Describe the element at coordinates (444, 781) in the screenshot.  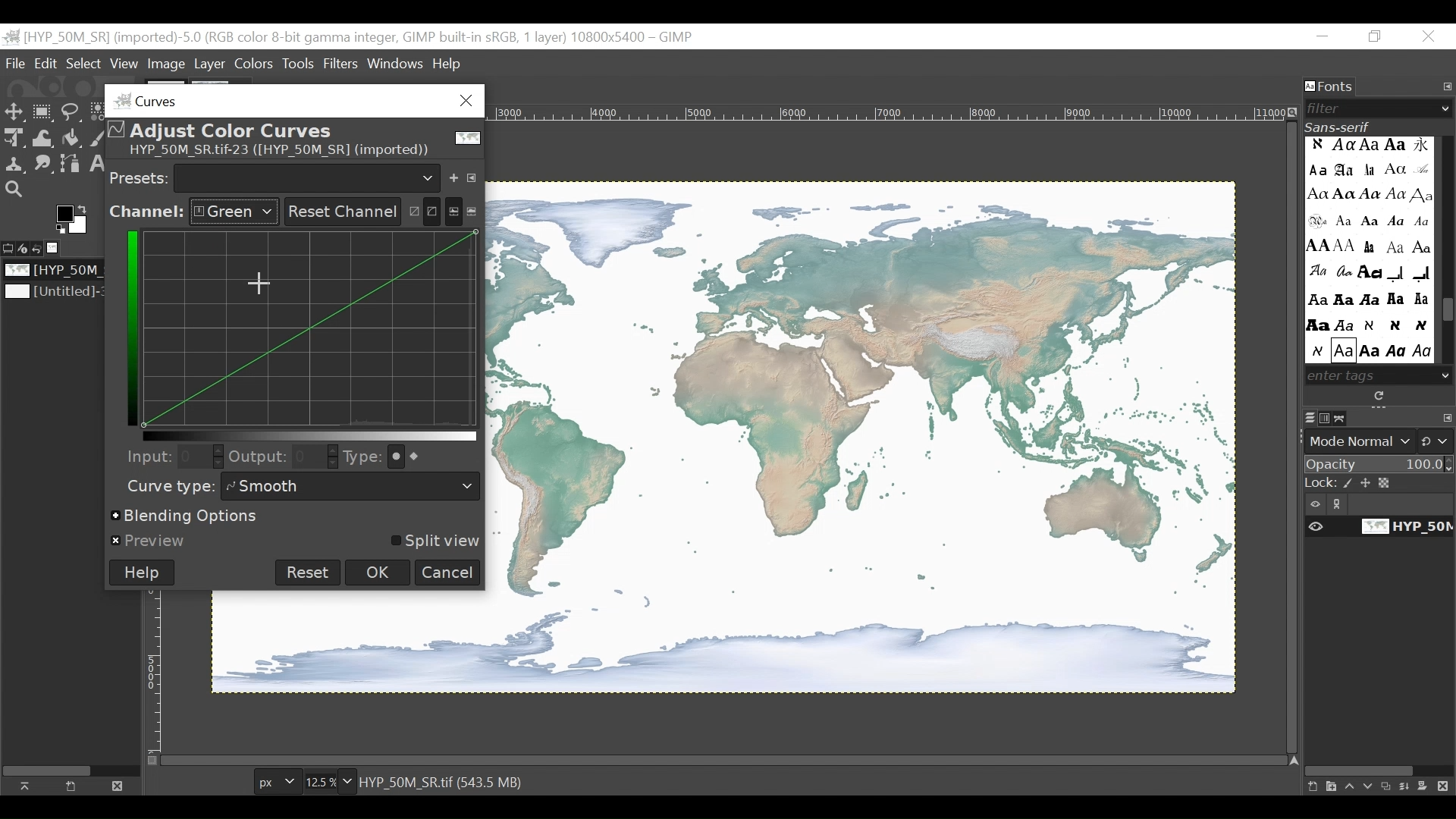
I see `HYP 0M SR TIF (543.5 MB)` at that location.